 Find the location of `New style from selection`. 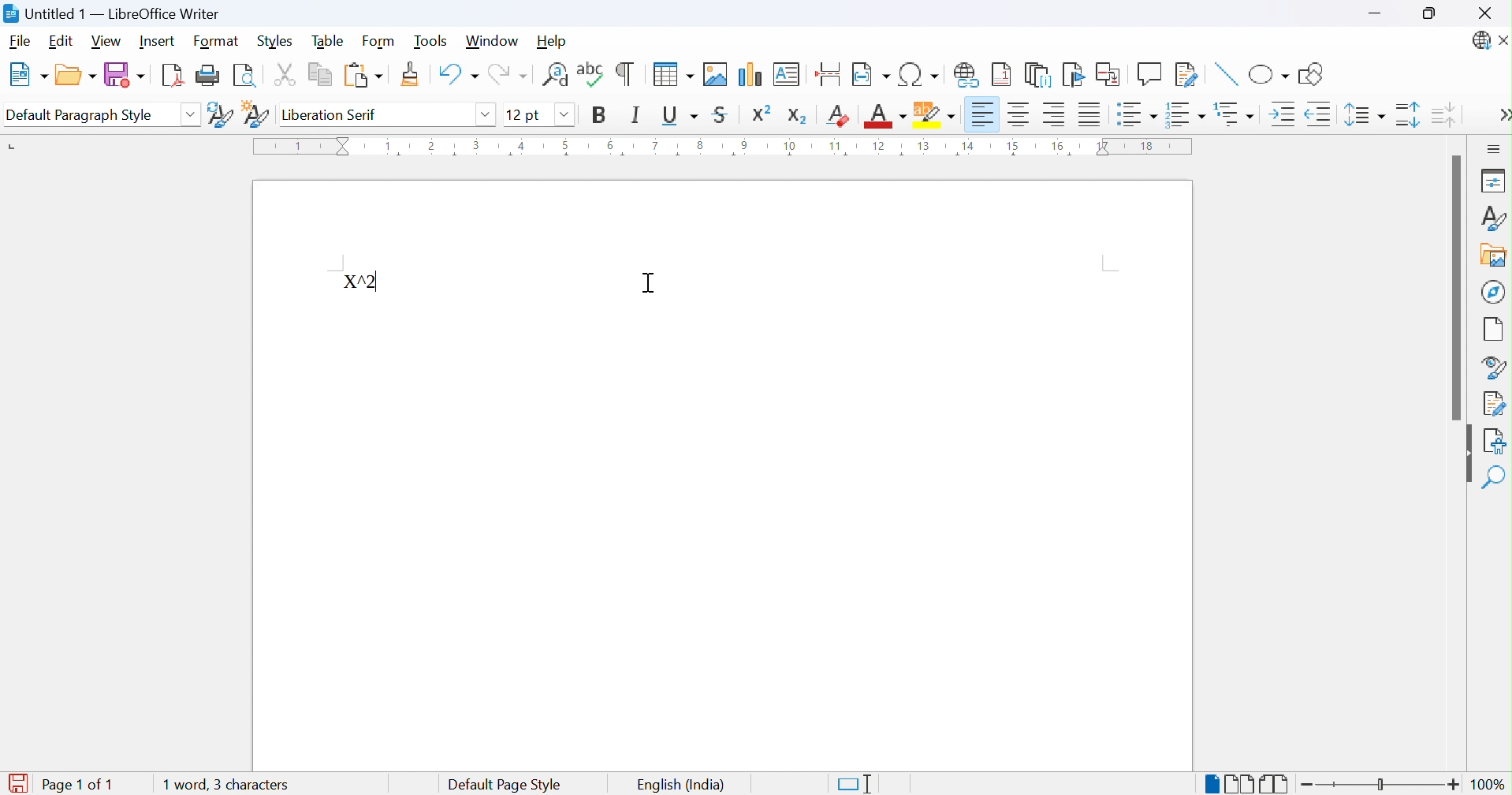

New style from selection is located at coordinates (257, 114).